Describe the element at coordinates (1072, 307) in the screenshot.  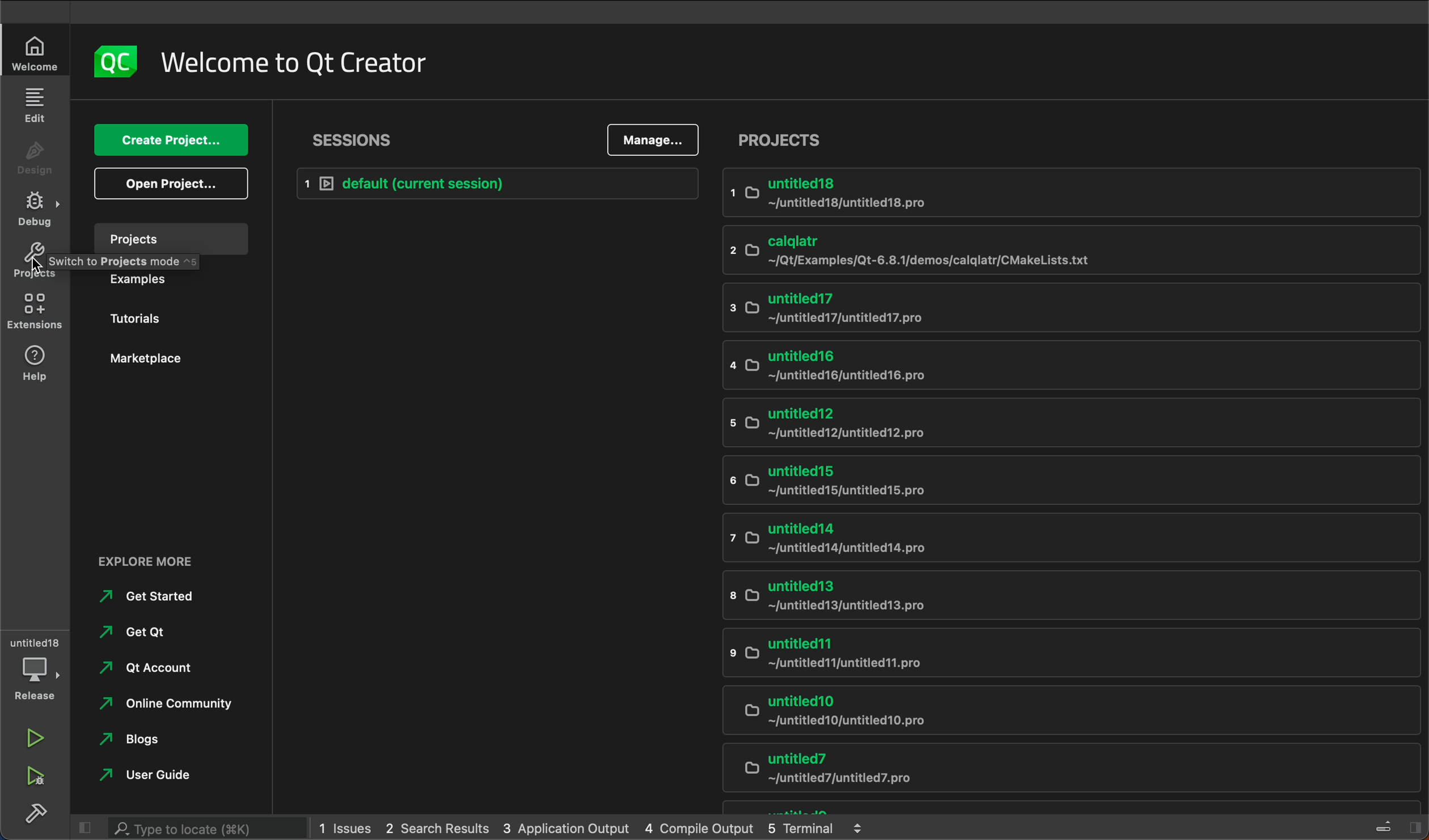
I see `untitled17` at that location.